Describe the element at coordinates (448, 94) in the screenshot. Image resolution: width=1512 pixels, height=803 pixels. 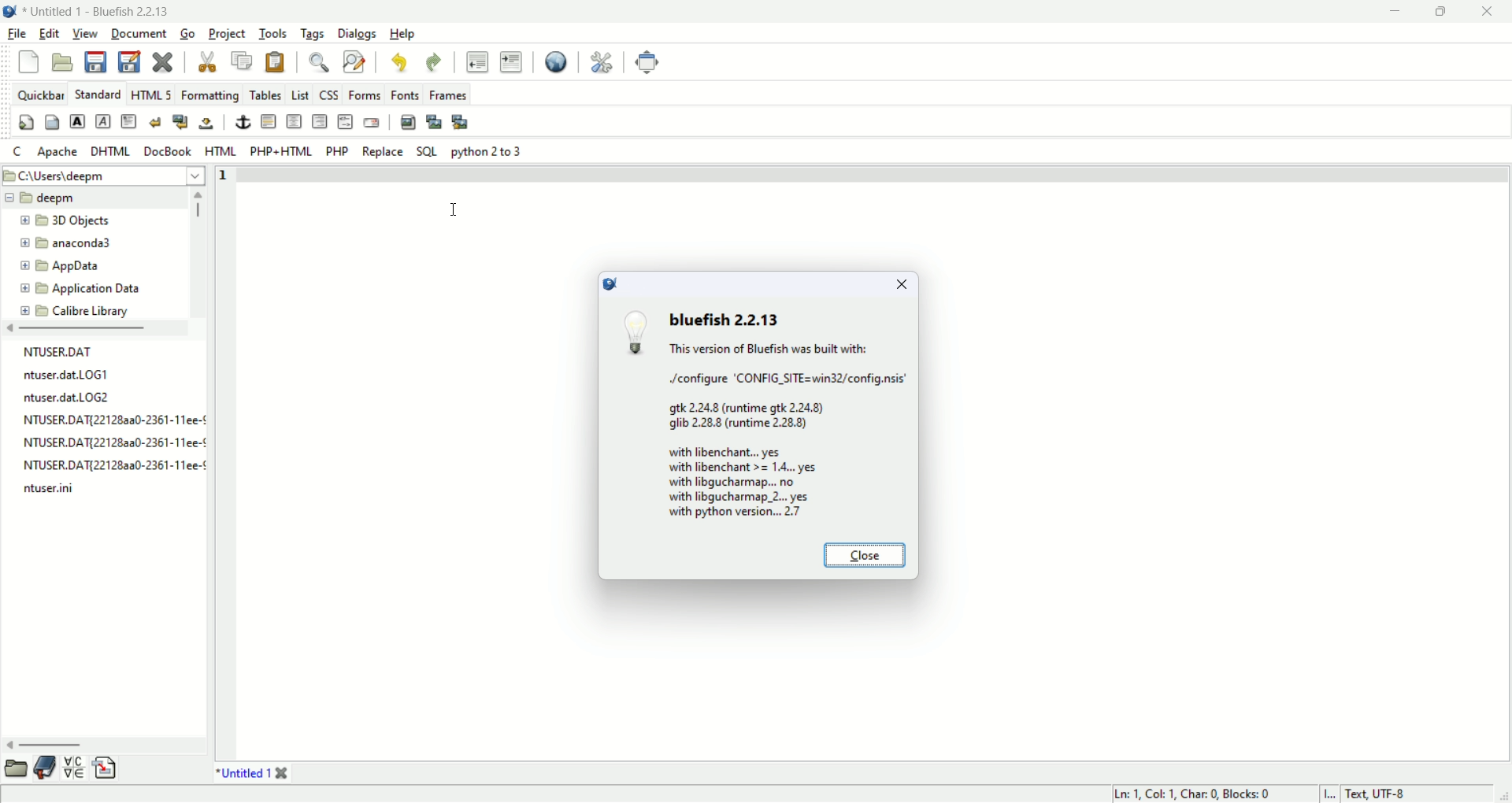
I see `frames` at that location.